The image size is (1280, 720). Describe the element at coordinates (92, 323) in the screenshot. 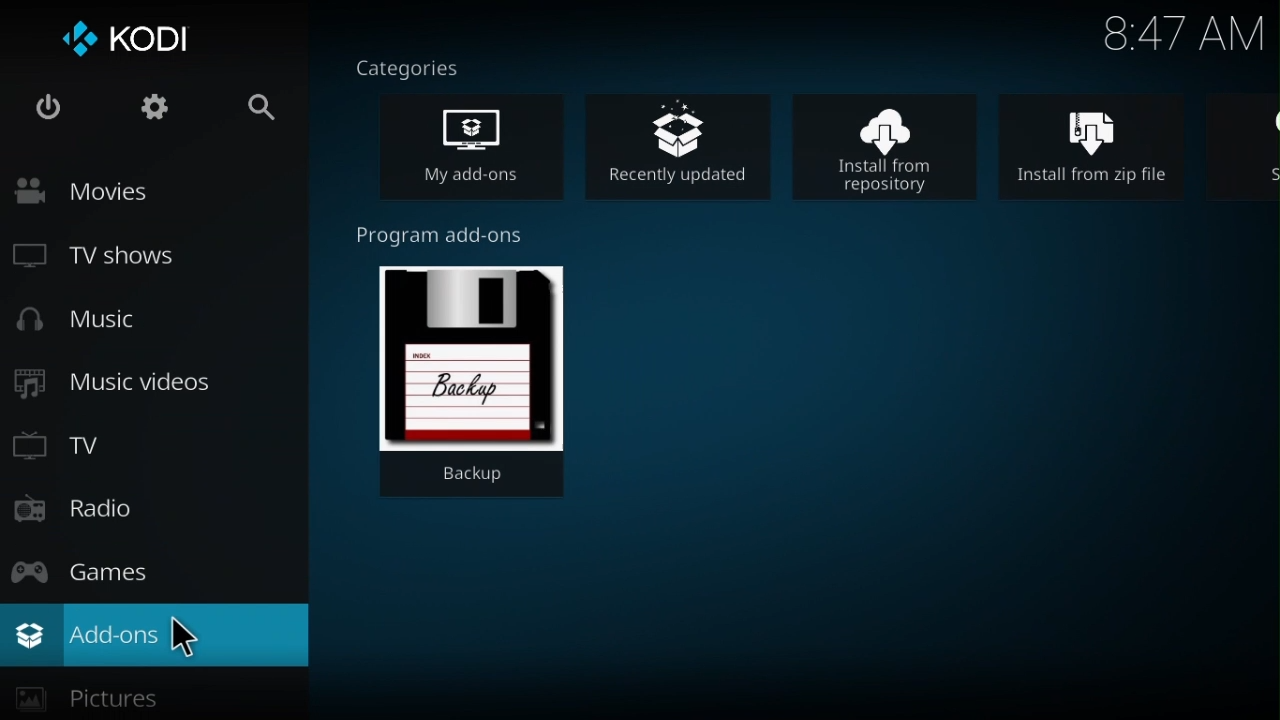

I see `Music` at that location.